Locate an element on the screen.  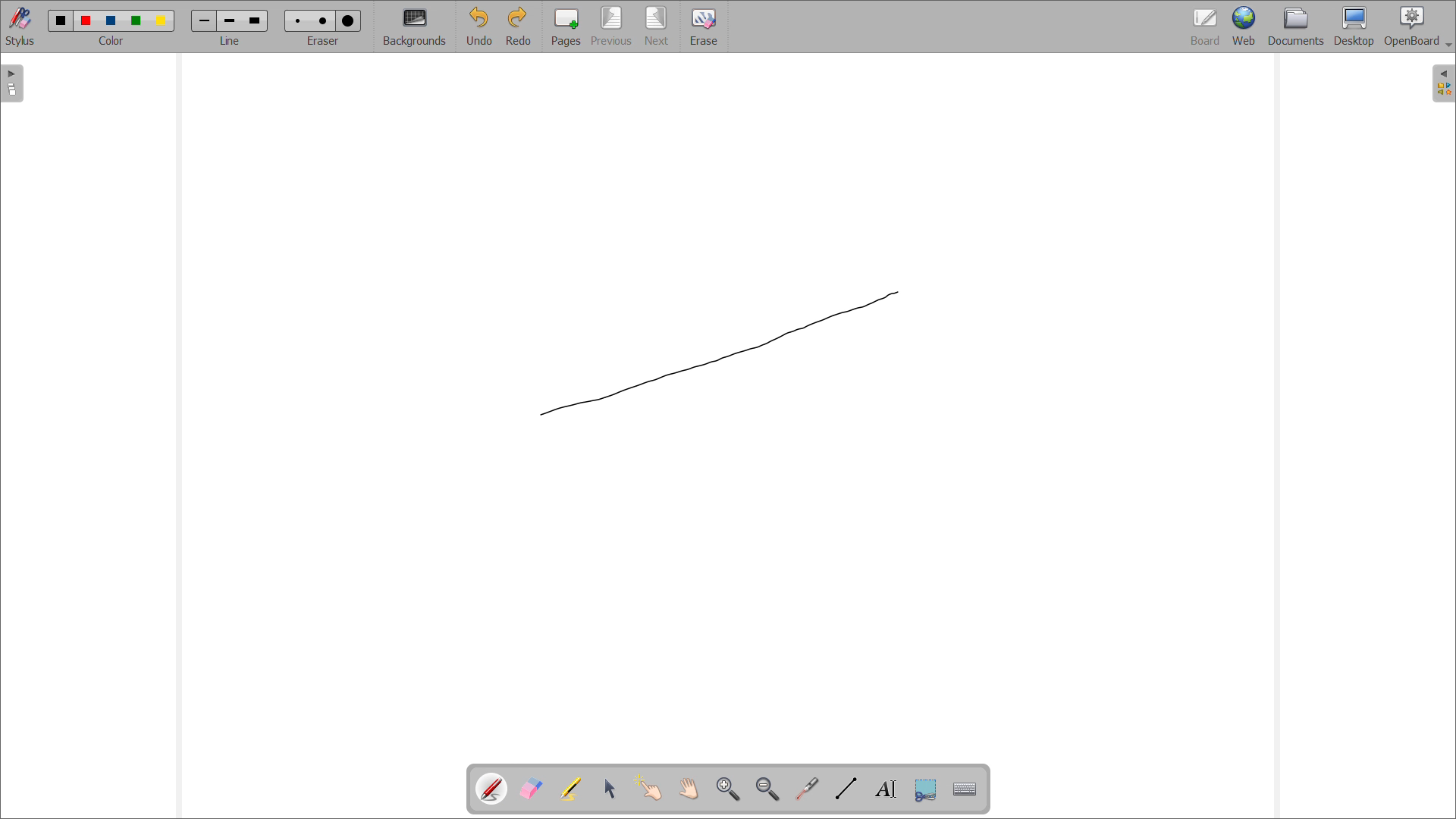
web is located at coordinates (1244, 27).